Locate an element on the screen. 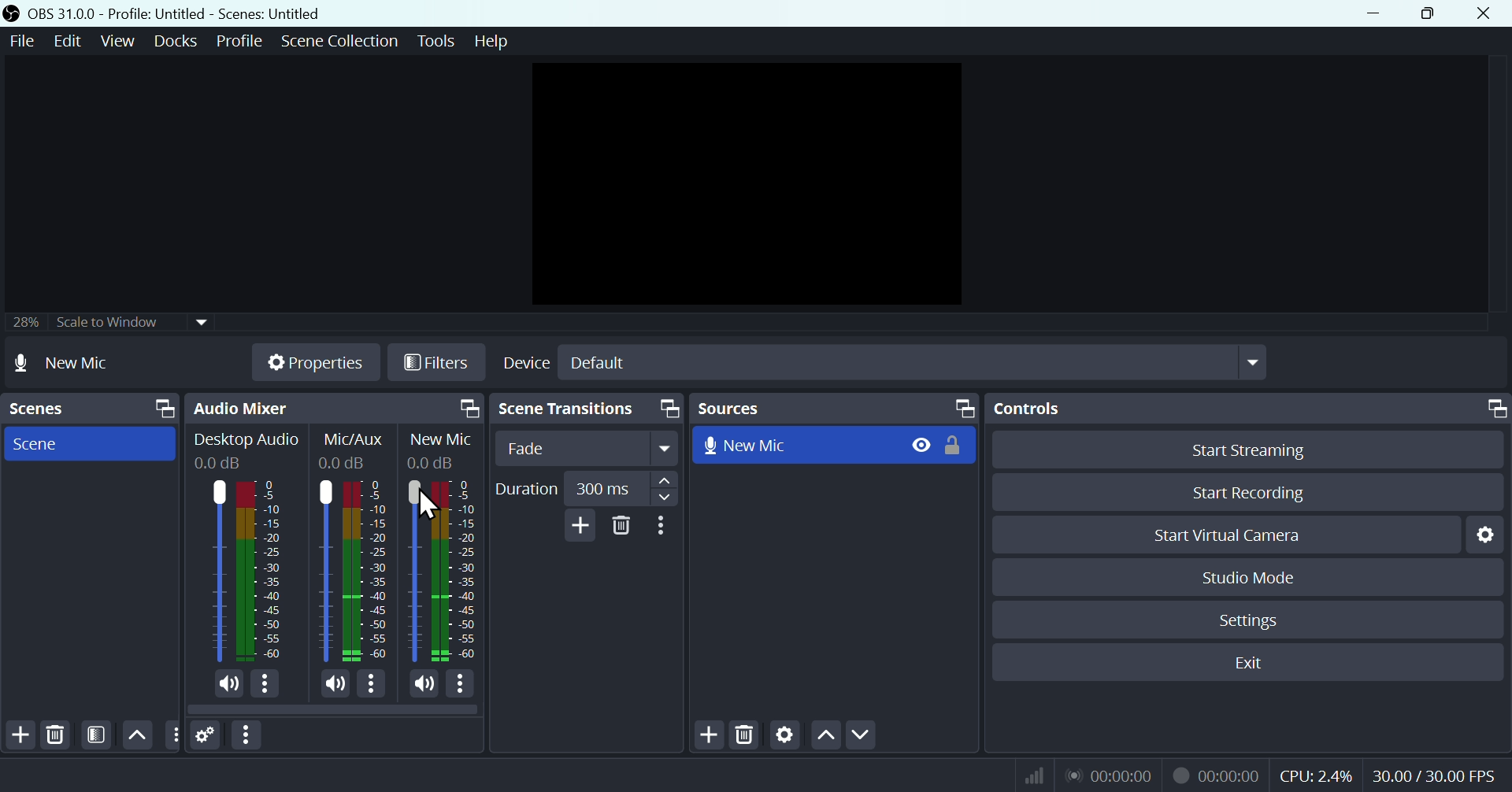 Image resolution: width=1512 pixels, height=792 pixels. Filtres is located at coordinates (437, 365).